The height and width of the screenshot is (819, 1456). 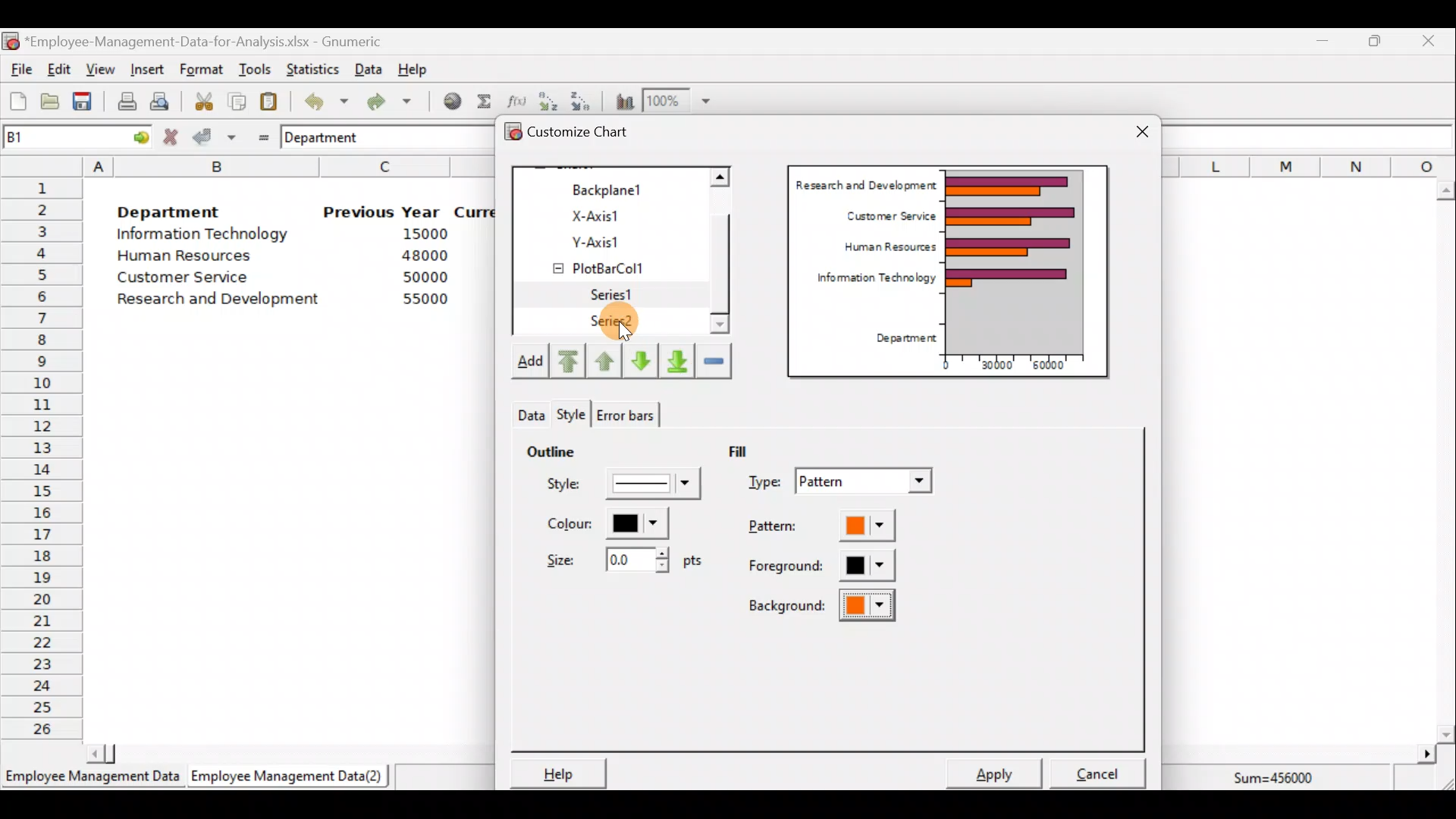 I want to click on Style, so click(x=529, y=411).